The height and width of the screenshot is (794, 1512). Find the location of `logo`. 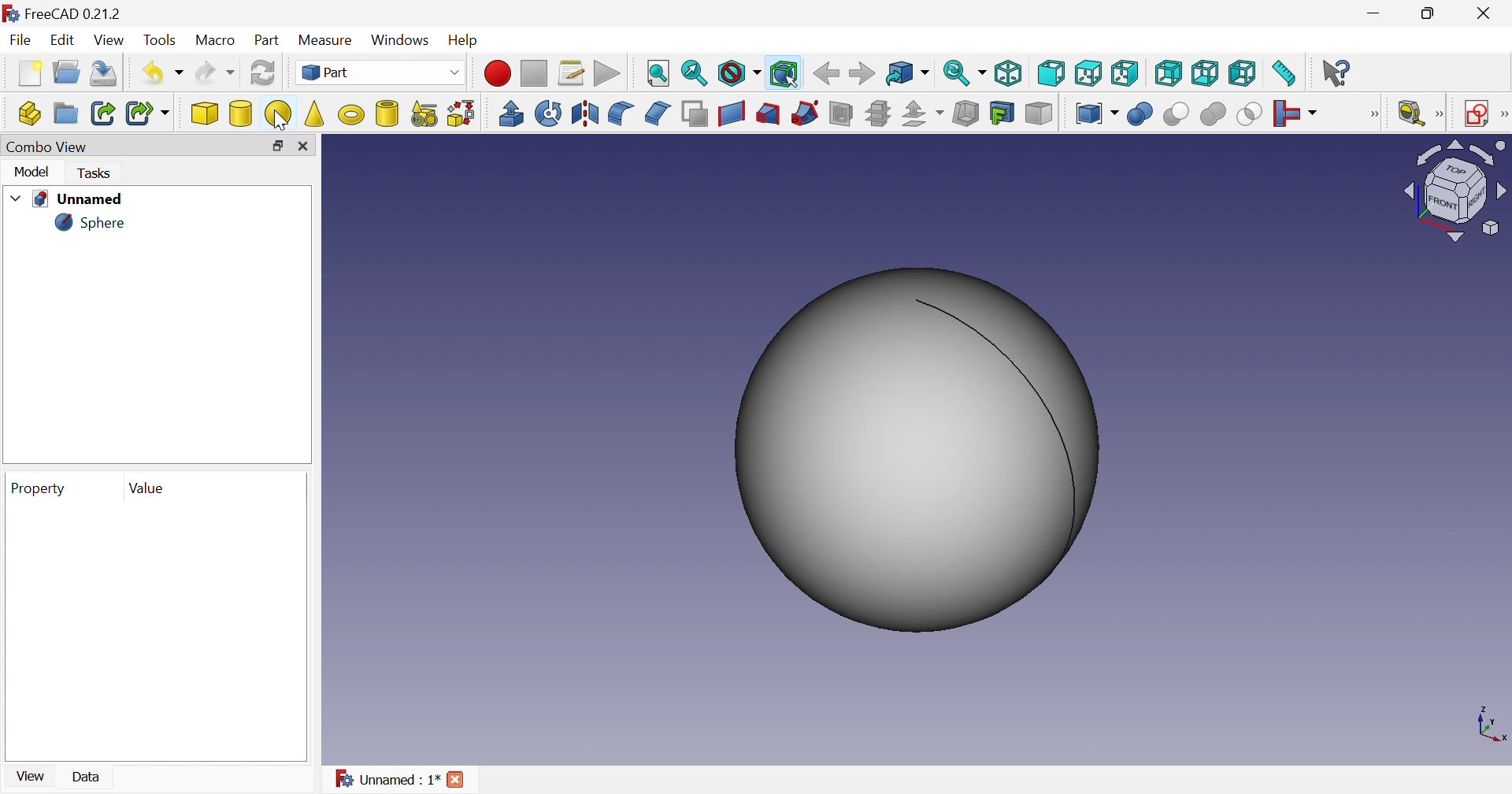

logo is located at coordinates (9, 13).